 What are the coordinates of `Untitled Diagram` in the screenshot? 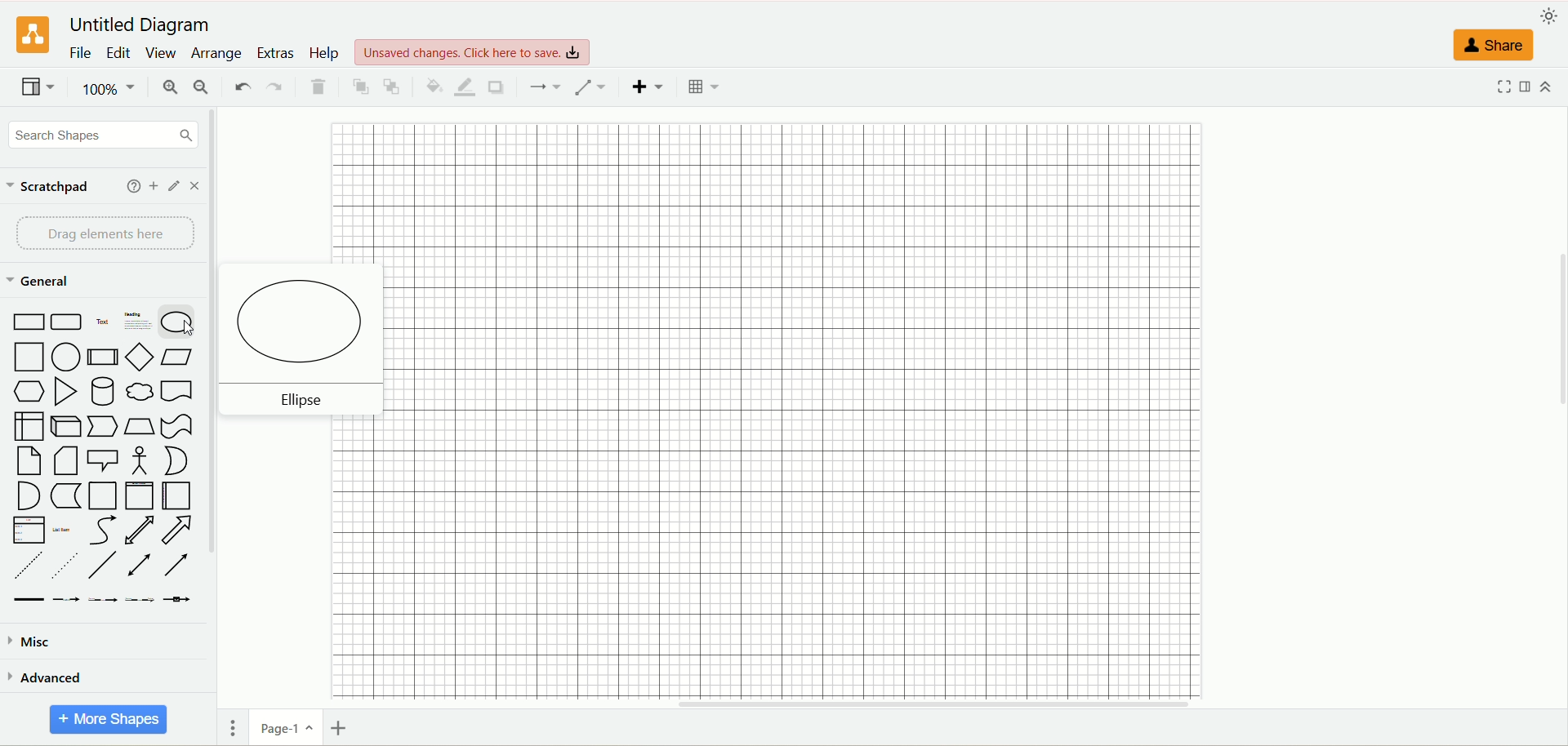 It's located at (145, 22).